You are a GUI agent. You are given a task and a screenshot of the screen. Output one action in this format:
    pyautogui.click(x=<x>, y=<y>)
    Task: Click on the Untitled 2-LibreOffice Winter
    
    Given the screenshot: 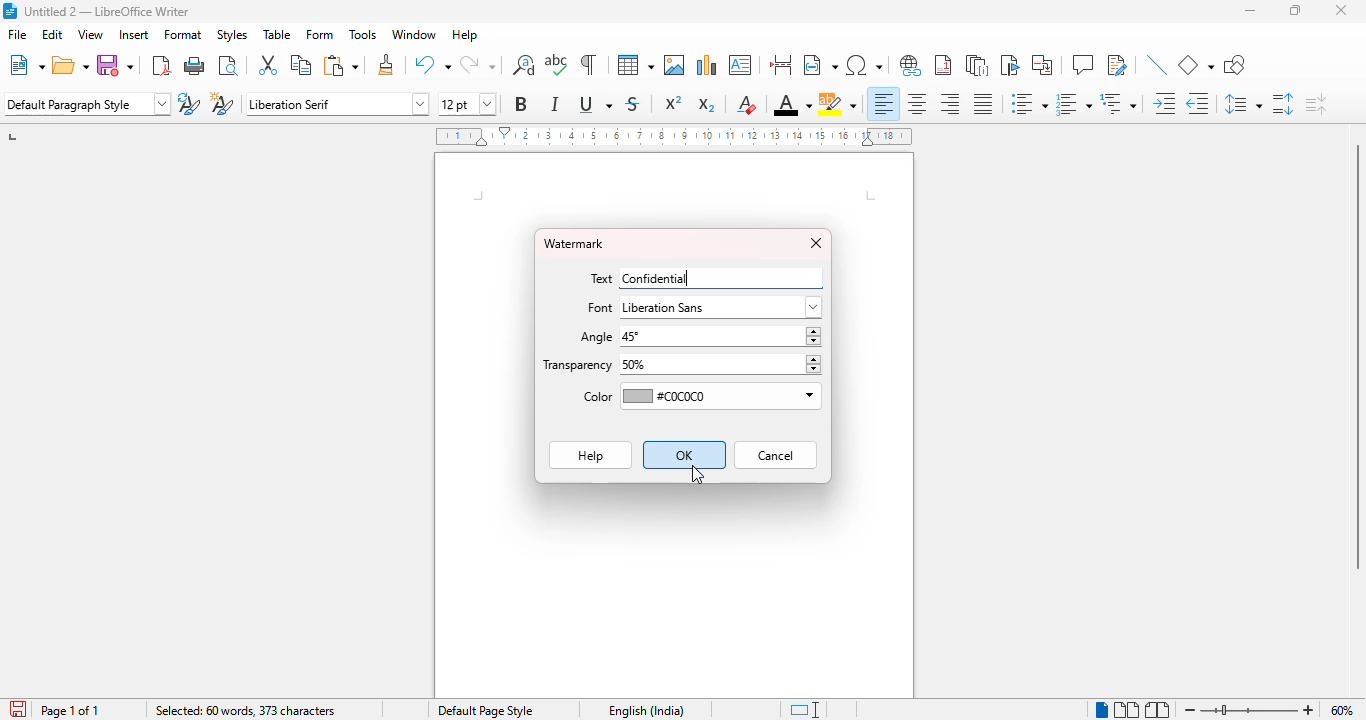 What is the action you would take?
    pyautogui.click(x=105, y=9)
    